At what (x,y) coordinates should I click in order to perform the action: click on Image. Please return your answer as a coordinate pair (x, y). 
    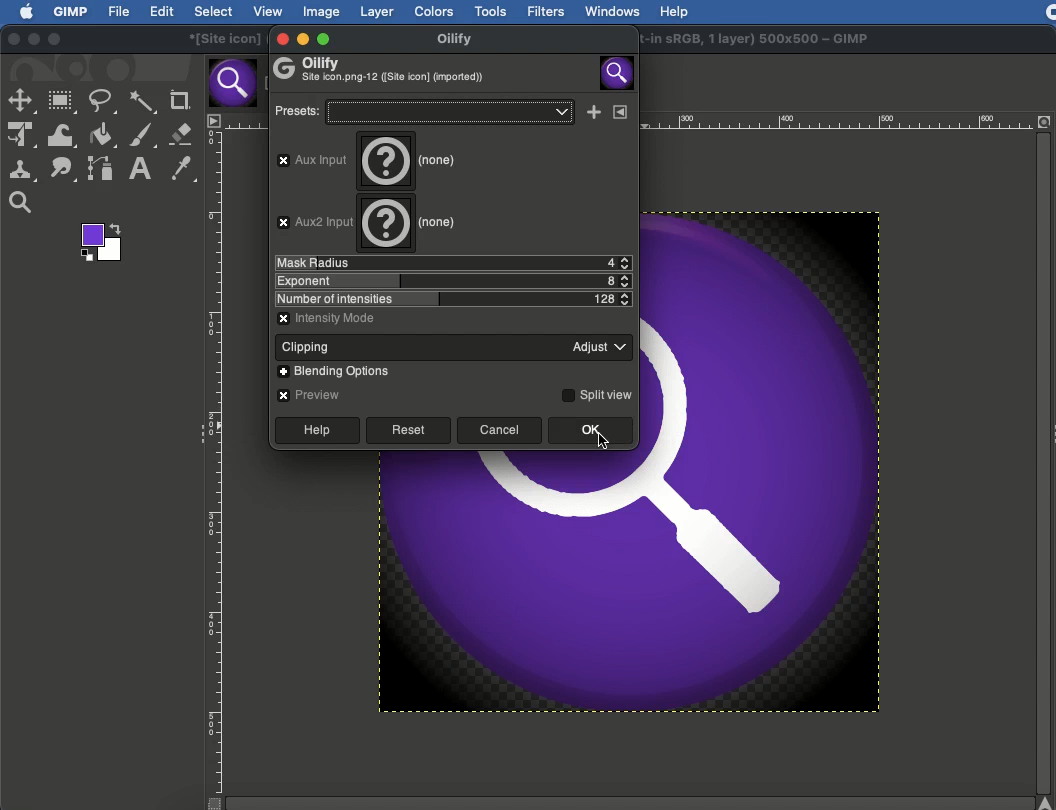
    Looking at the image, I should click on (320, 11).